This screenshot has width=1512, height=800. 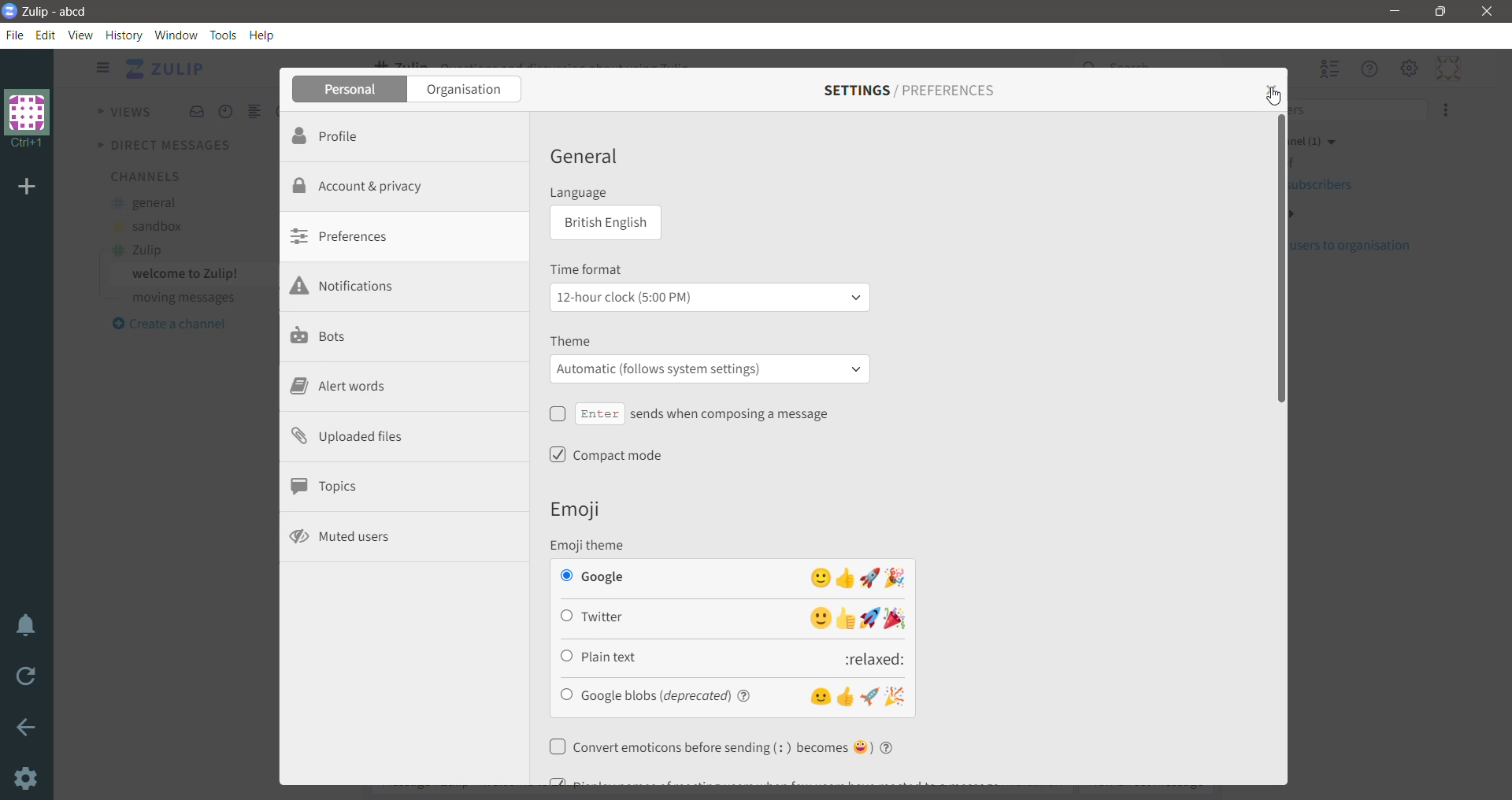 What do you see at coordinates (347, 387) in the screenshot?
I see `Alert words` at bounding box center [347, 387].